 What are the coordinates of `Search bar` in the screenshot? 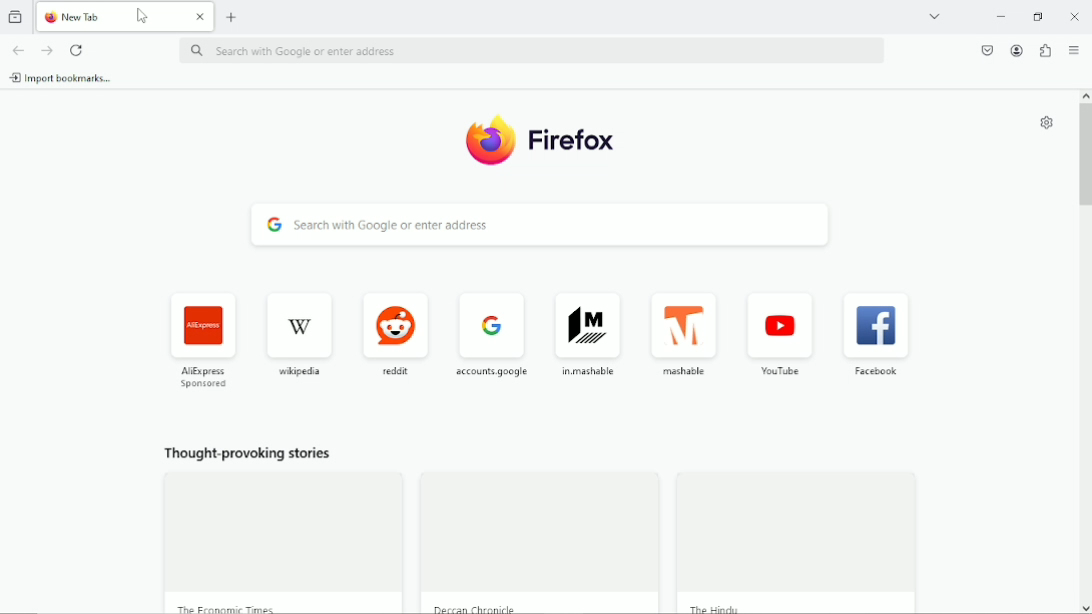 It's located at (529, 51).